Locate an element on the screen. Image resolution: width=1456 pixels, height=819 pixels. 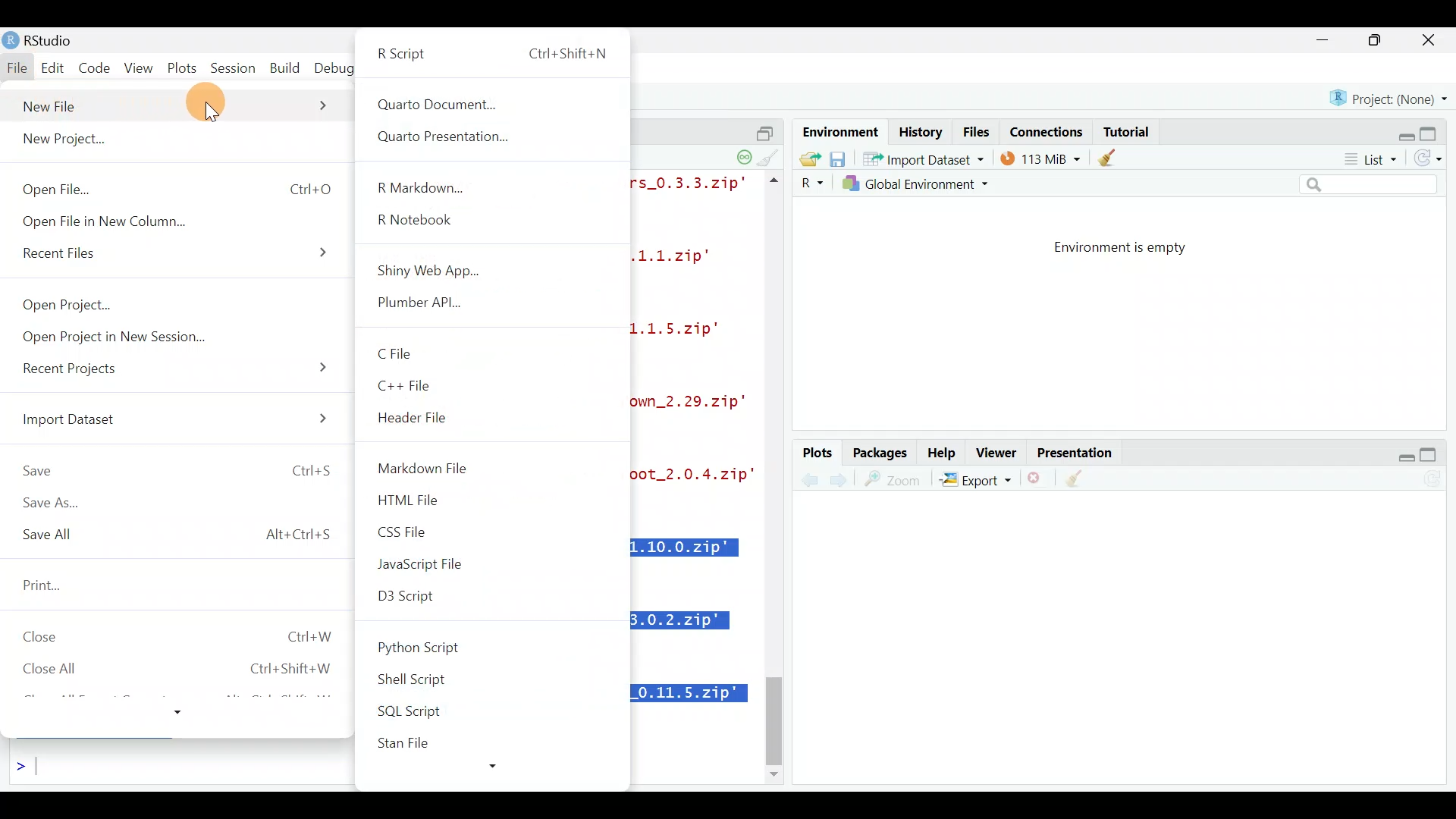
C File is located at coordinates (404, 351).